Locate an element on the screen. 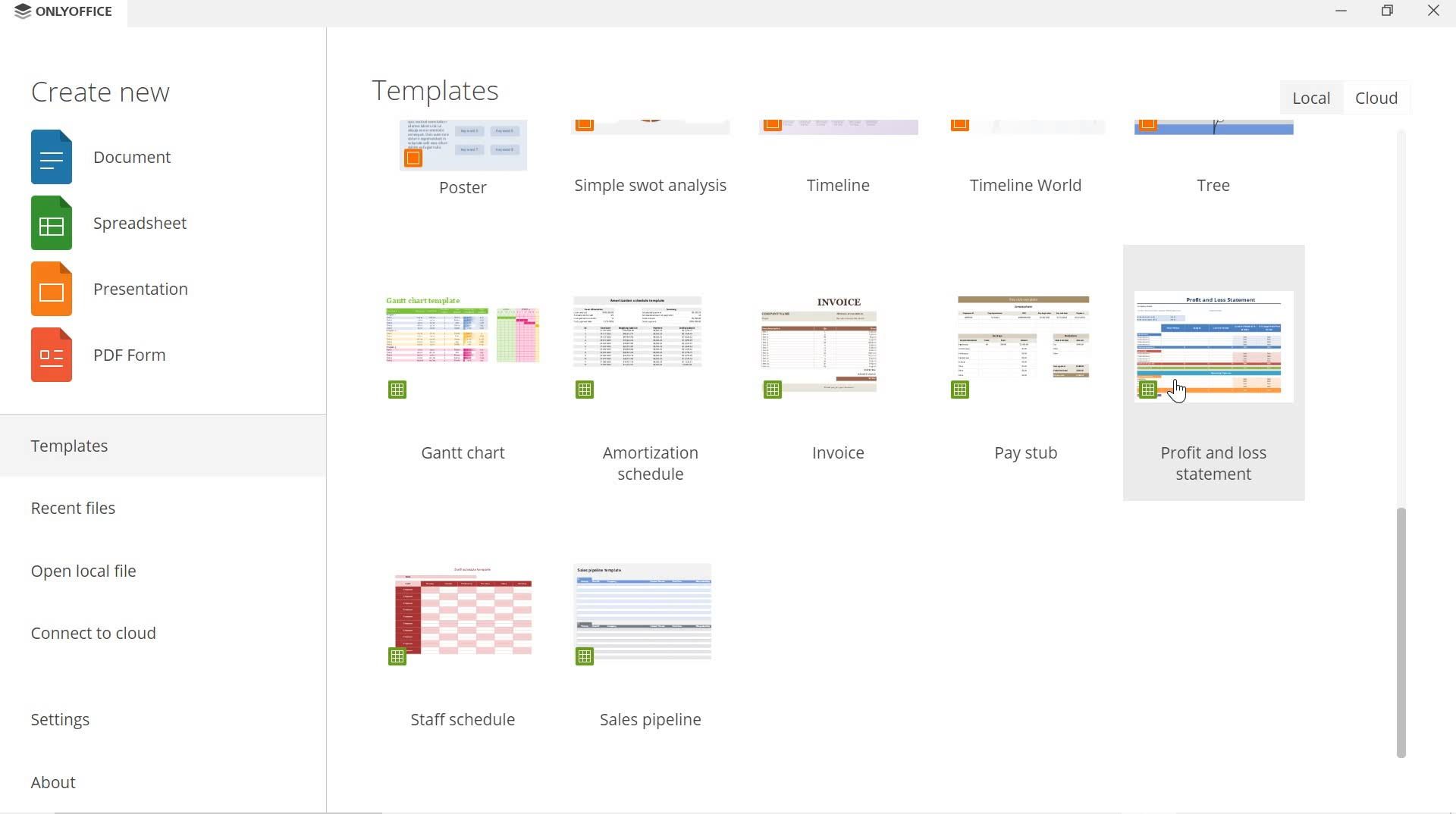 The height and width of the screenshot is (814, 1456). Gantt chart is located at coordinates (466, 456).